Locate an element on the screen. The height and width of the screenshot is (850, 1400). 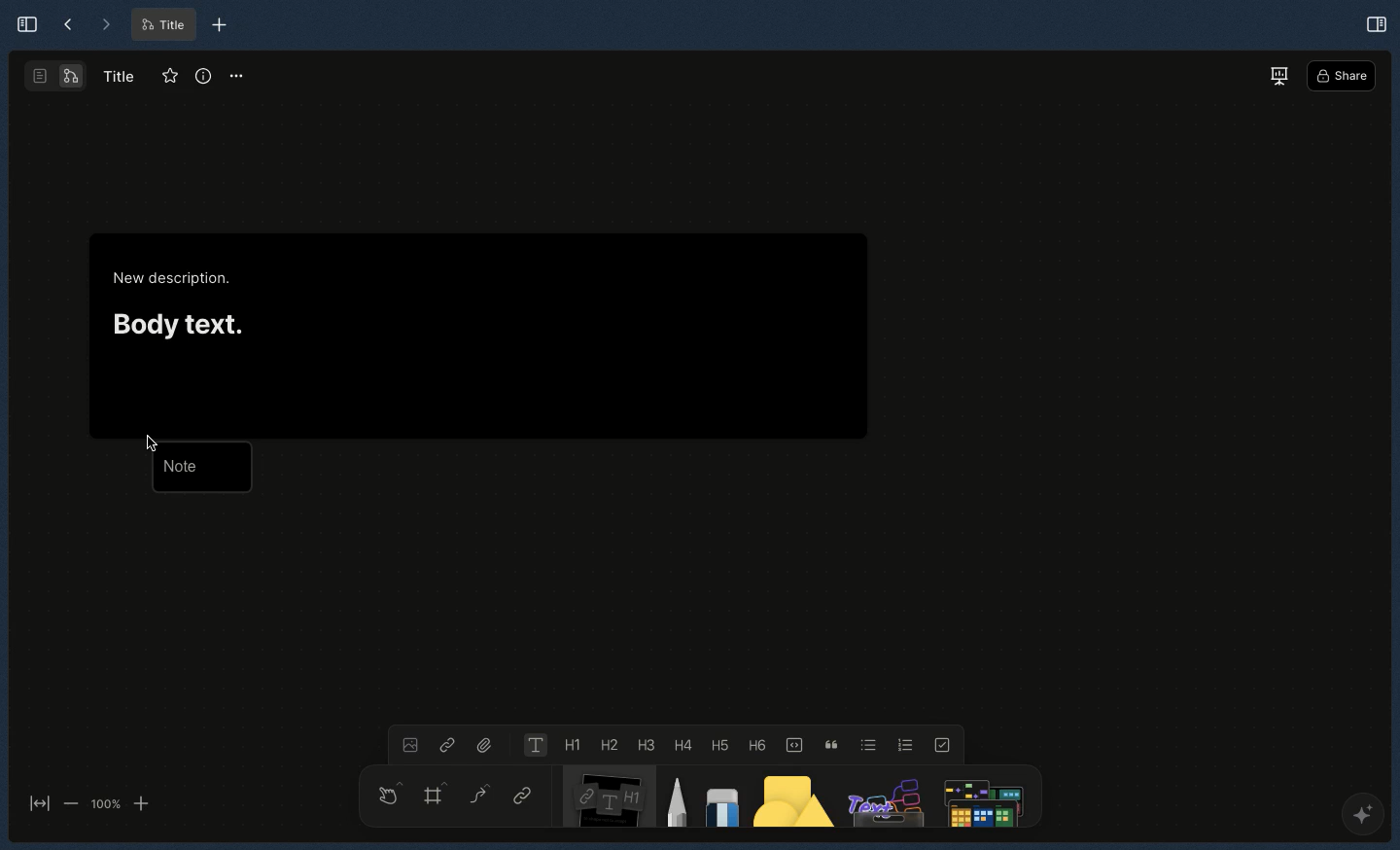
100% is located at coordinates (105, 804).